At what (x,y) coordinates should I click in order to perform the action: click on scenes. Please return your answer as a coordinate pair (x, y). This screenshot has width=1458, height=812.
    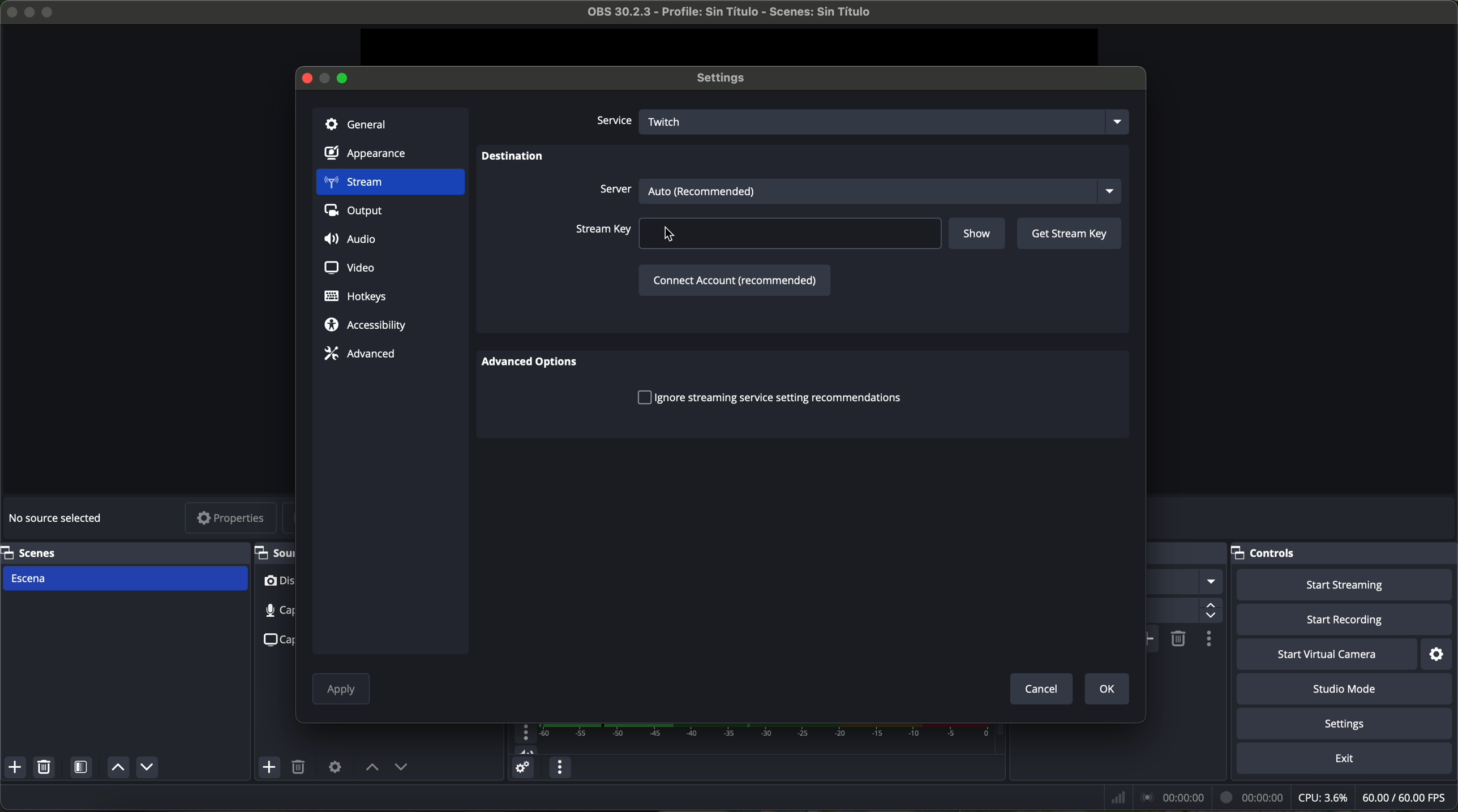
    Looking at the image, I should click on (121, 552).